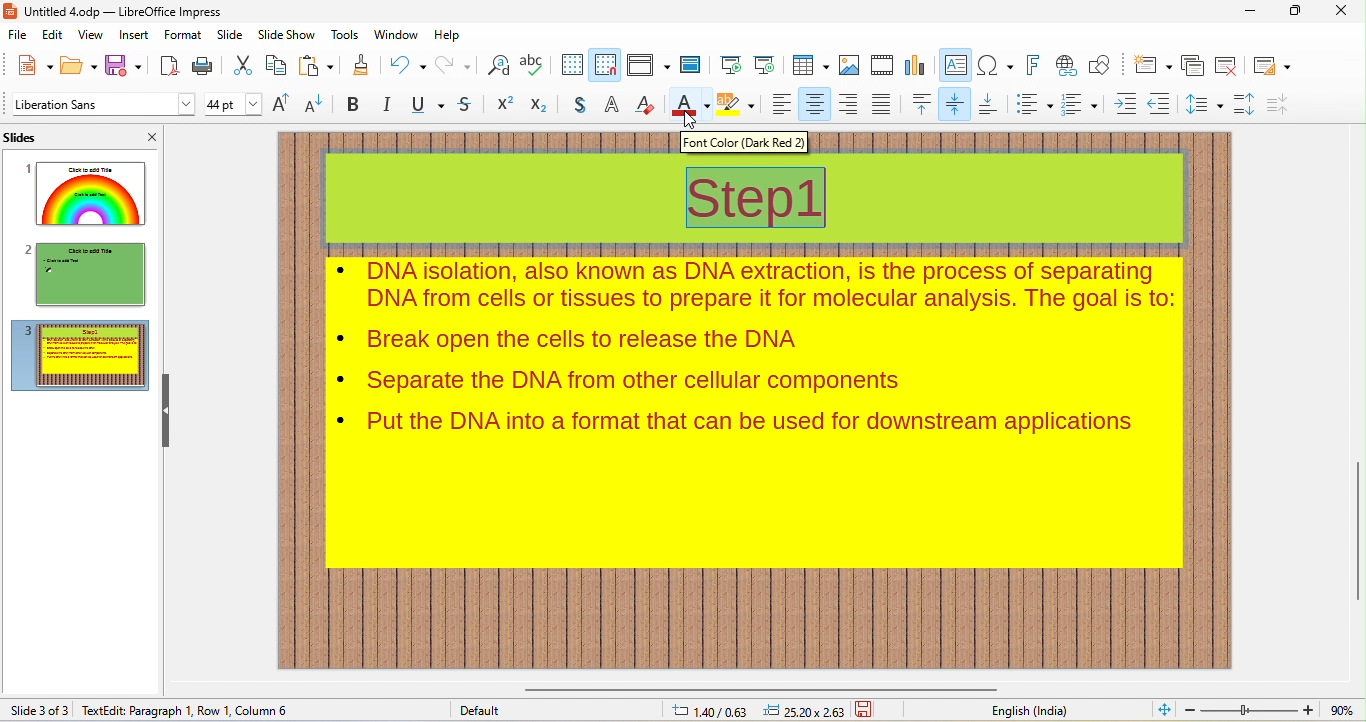 The height and width of the screenshot is (722, 1366). What do you see at coordinates (763, 198) in the screenshot?
I see `slide title font changed` at bounding box center [763, 198].